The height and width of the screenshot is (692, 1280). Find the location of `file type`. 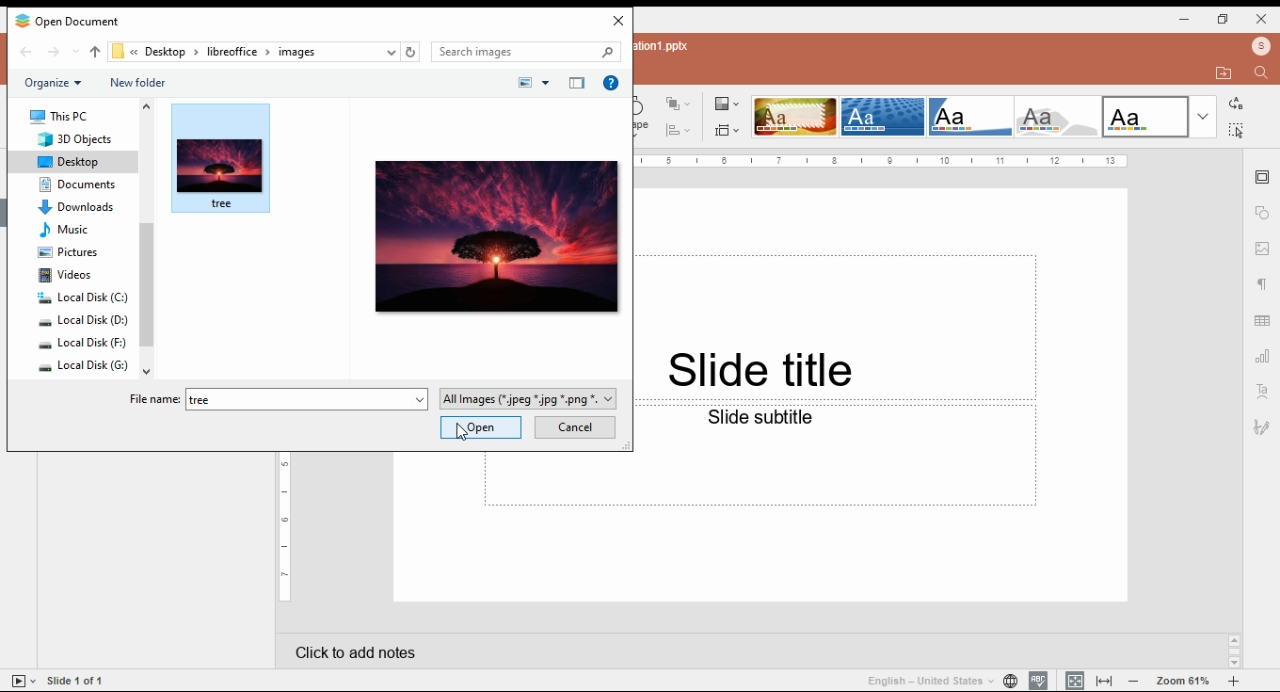

file type is located at coordinates (526, 399).